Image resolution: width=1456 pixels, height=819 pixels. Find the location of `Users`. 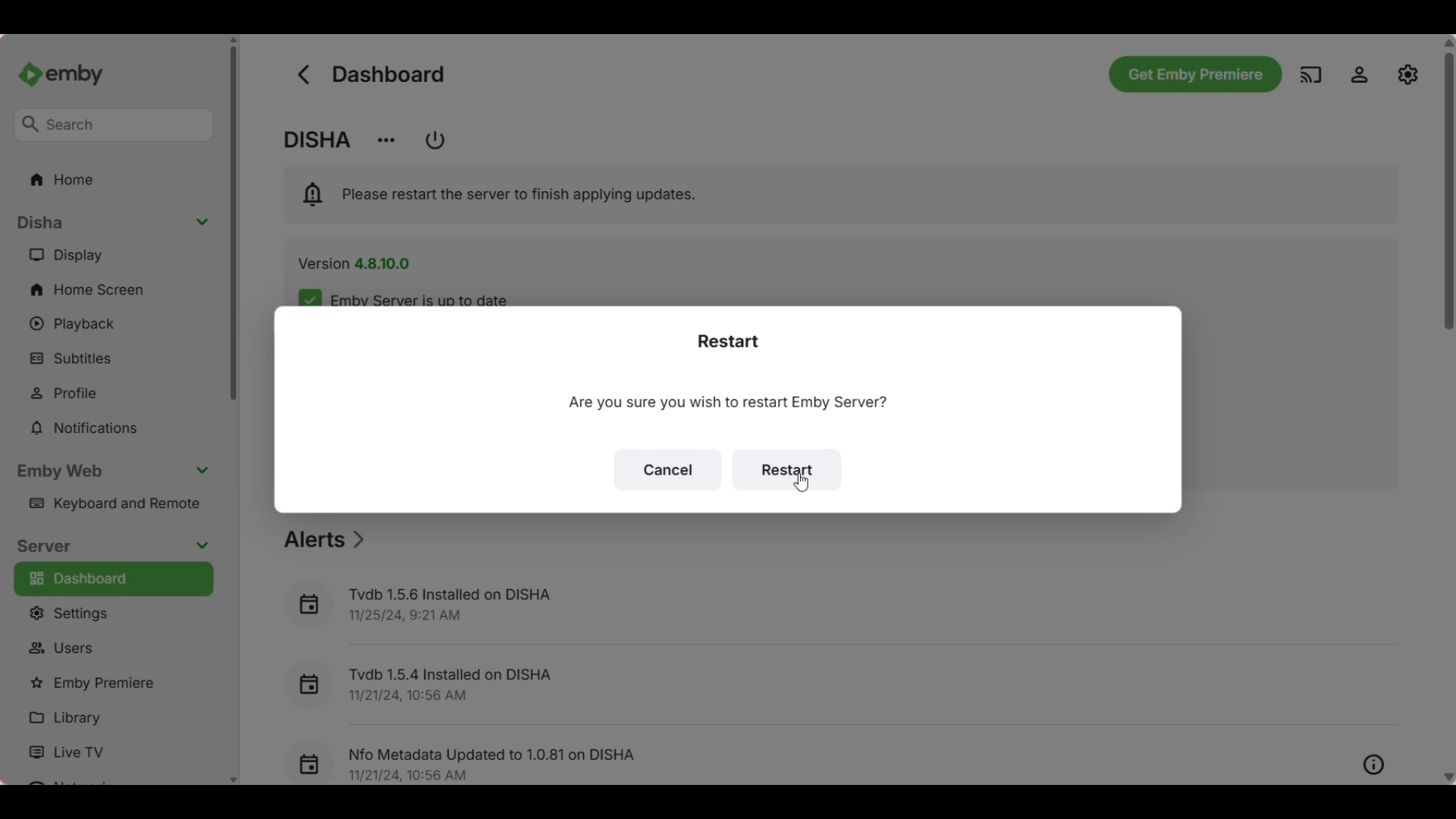

Users is located at coordinates (113, 648).